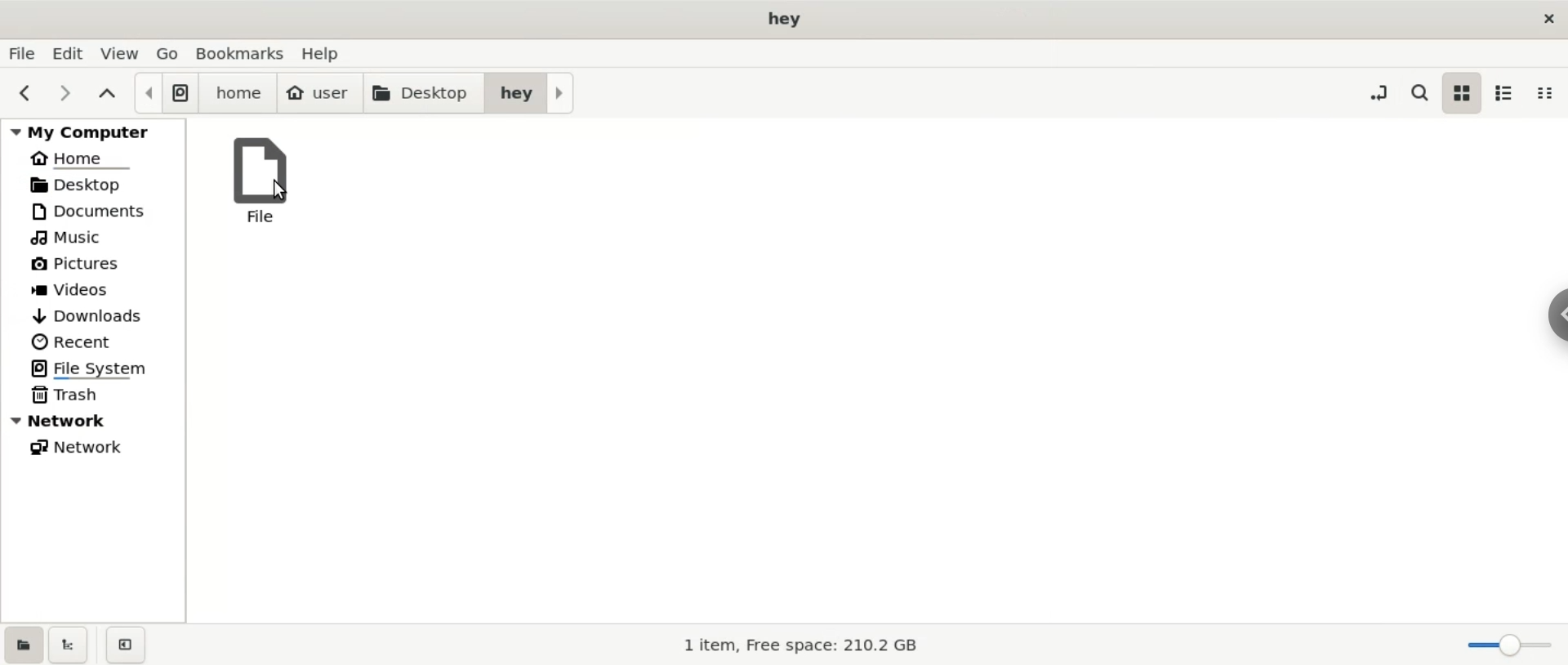 This screenshot has height=665, width=1568. What do you see at coordinates (1418, 90) in the screenshot?
I see `search` at bounding box center [1418, 90].